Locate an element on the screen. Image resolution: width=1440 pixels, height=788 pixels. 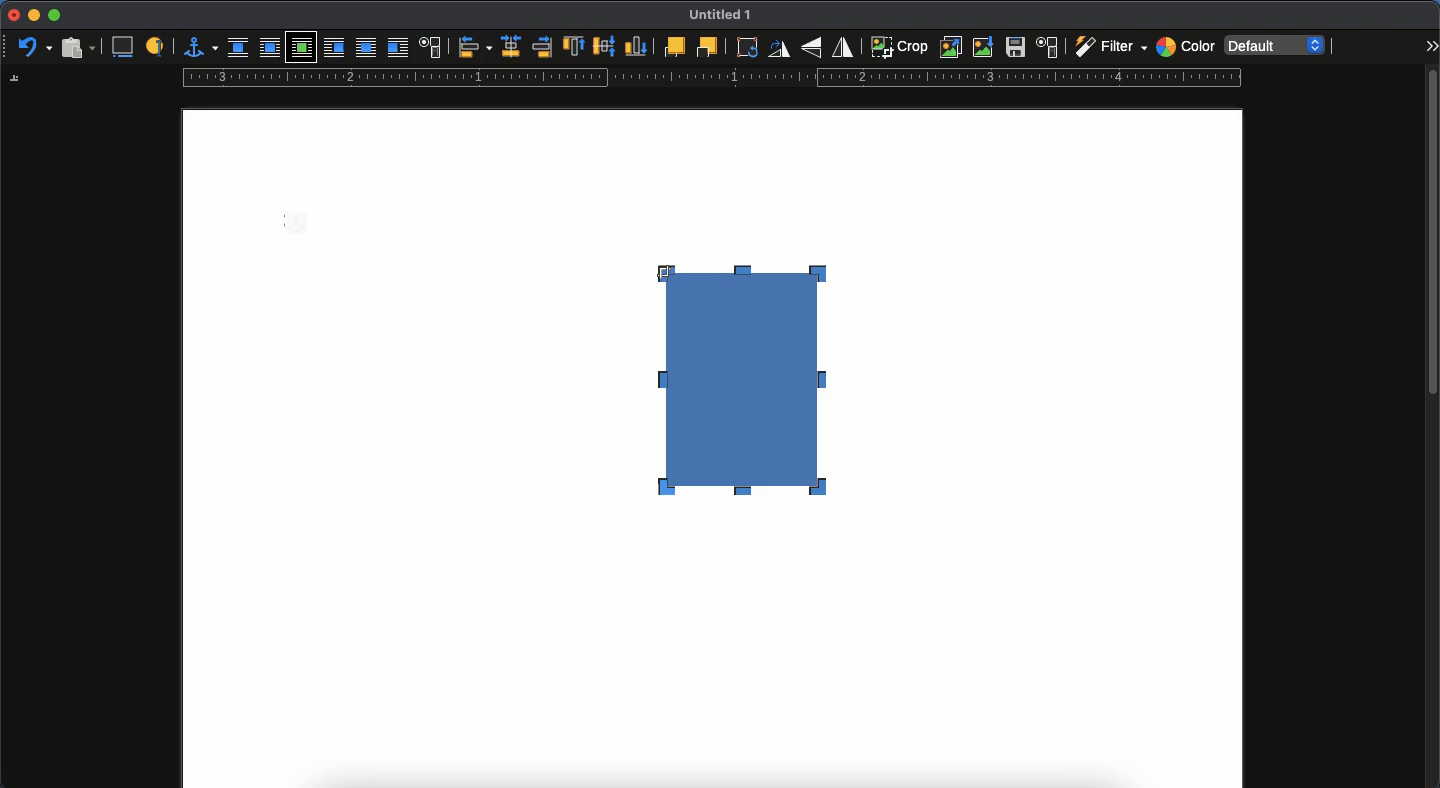
centered is located at coordinates (512, 47).